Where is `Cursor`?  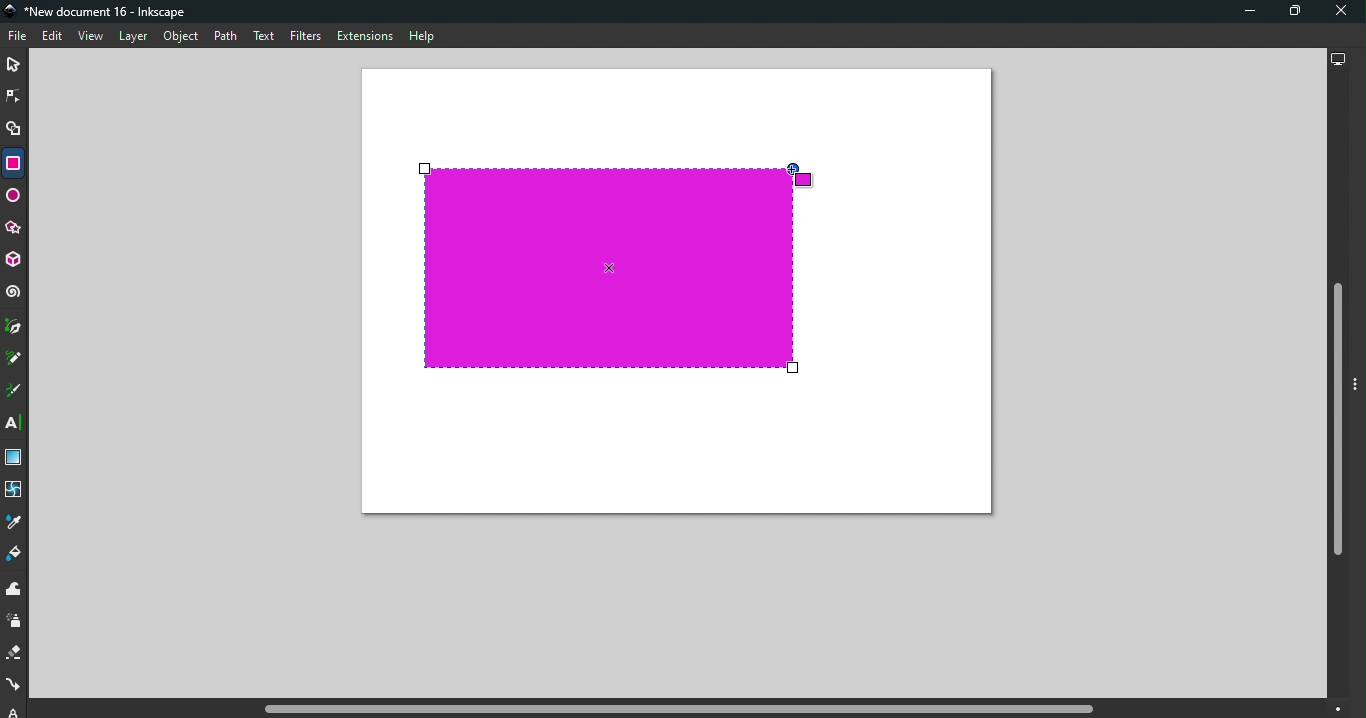 Cursor is located at coordinates (799, 175).